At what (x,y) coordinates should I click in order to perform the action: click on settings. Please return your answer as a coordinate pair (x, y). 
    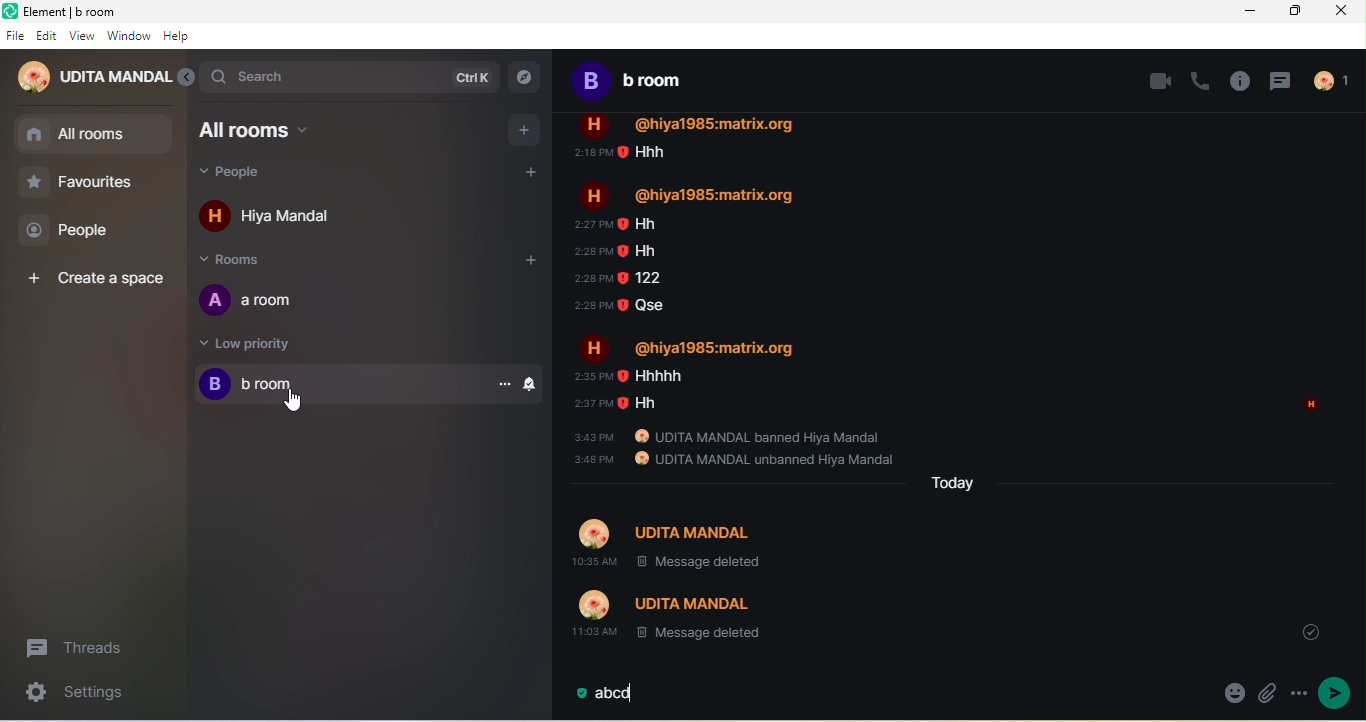
    Looking at the image, I should click on (75, 695).